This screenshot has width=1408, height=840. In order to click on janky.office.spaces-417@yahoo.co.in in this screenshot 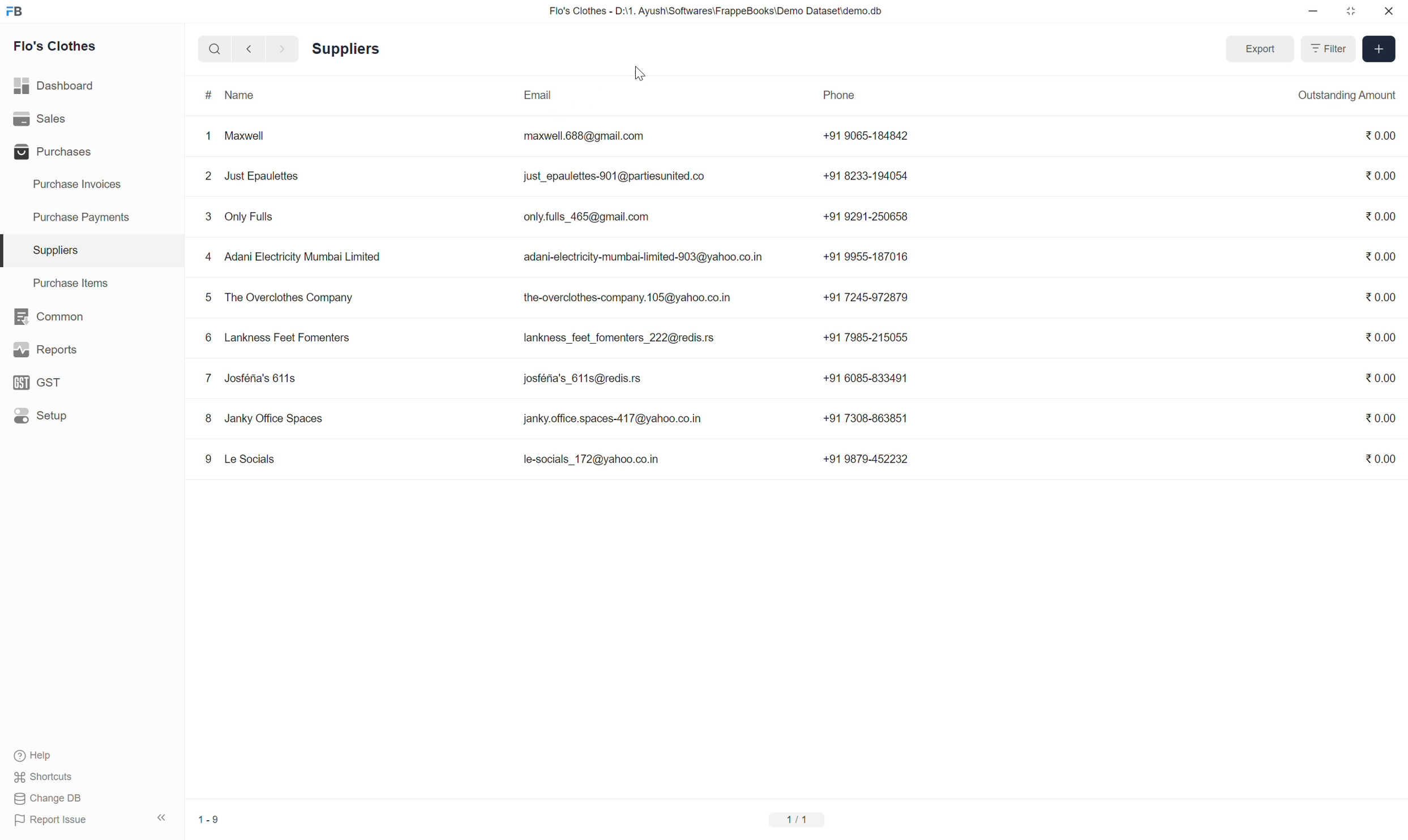, I will do `click(612, 419)`.